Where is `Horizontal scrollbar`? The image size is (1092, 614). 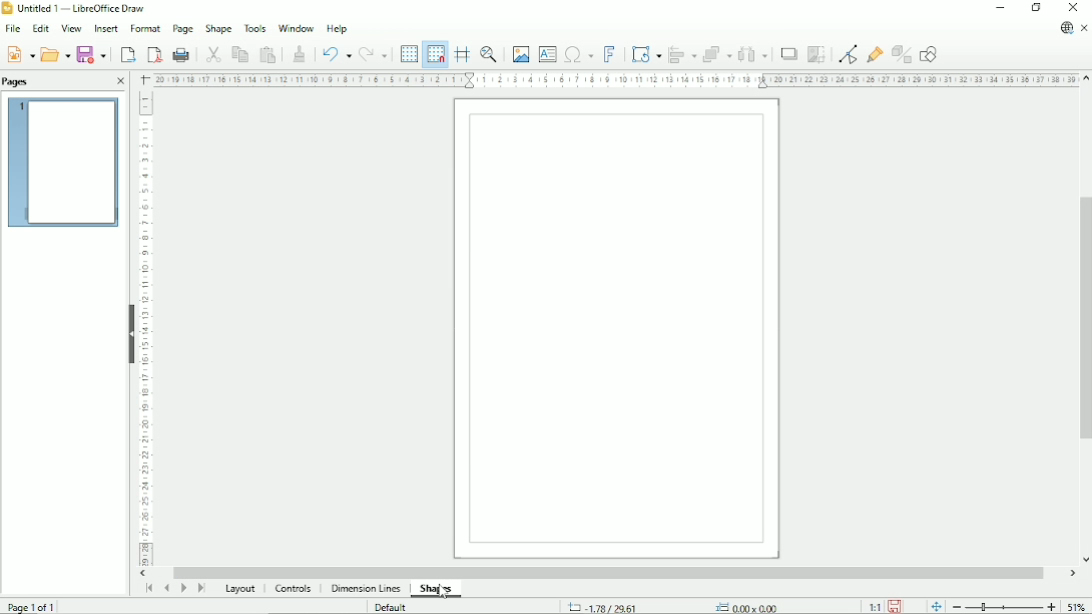
Horizontal scrollbar is located at coordinates (613, 571).